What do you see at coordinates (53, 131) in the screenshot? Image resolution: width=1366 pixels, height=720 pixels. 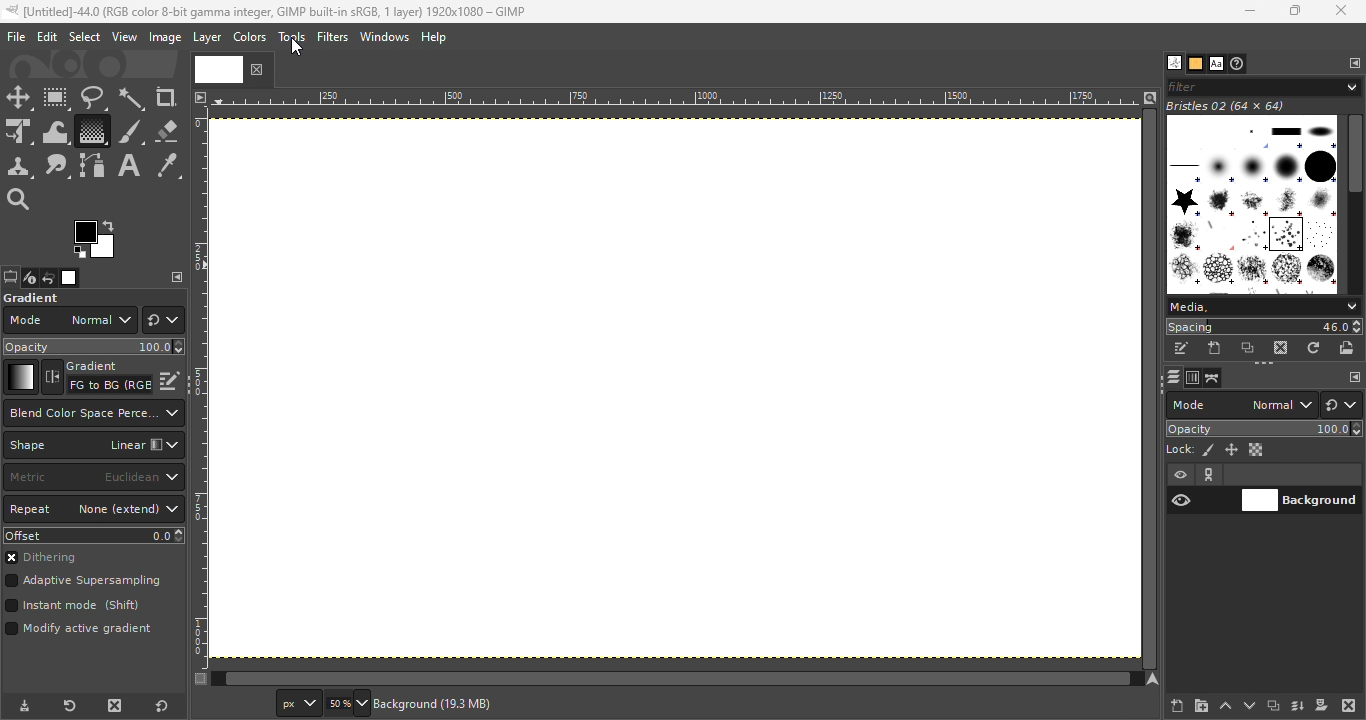 I see `Wrap transform` at bounding box center [53, 131].